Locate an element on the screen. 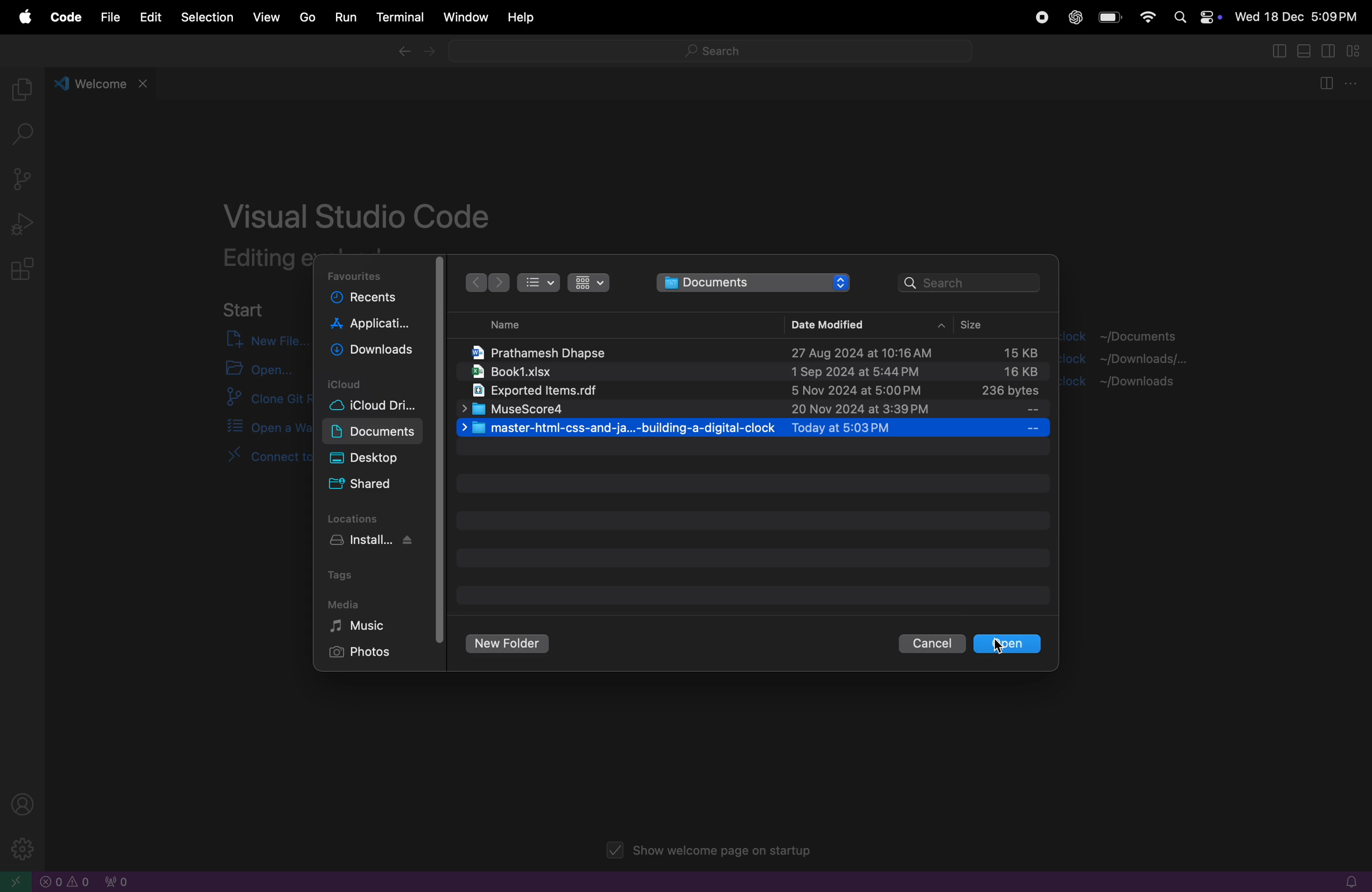 This screenshot has height=892, width=1372. documents is located at coordinates (374, 432).